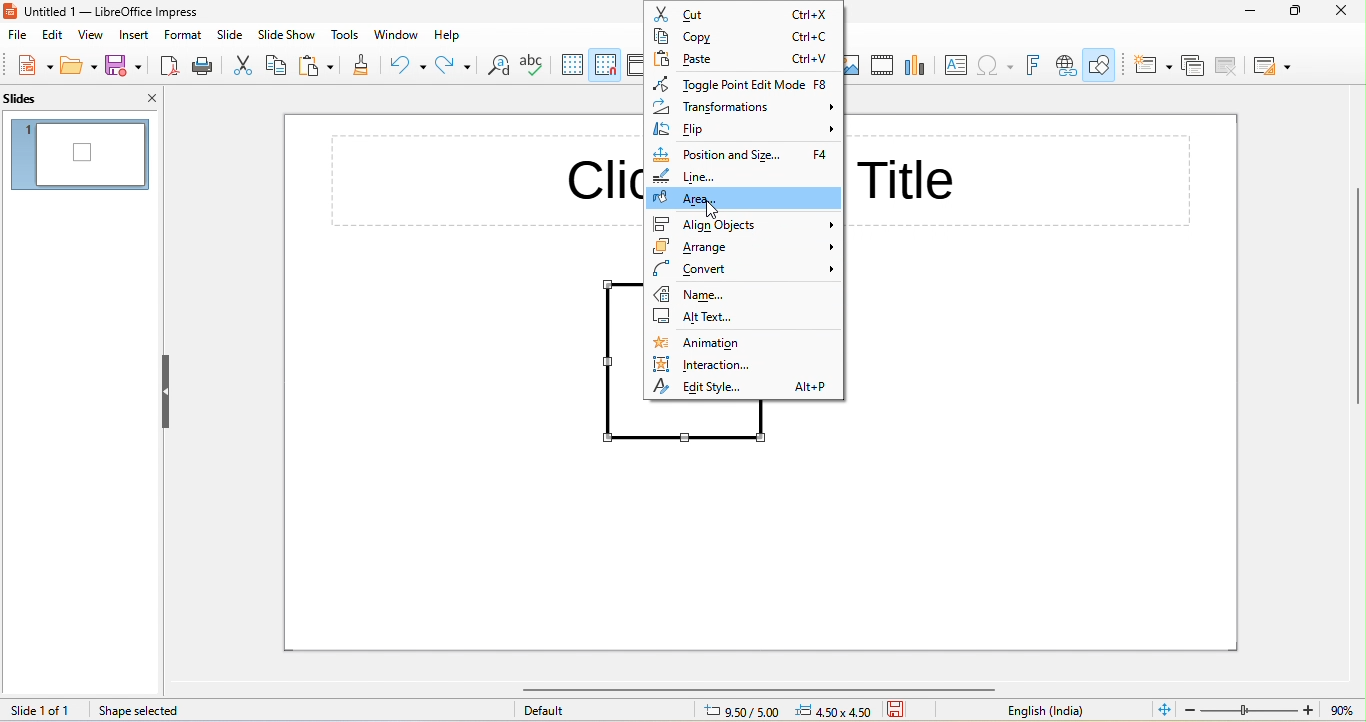  I want to click on clone, so click(359, 64).